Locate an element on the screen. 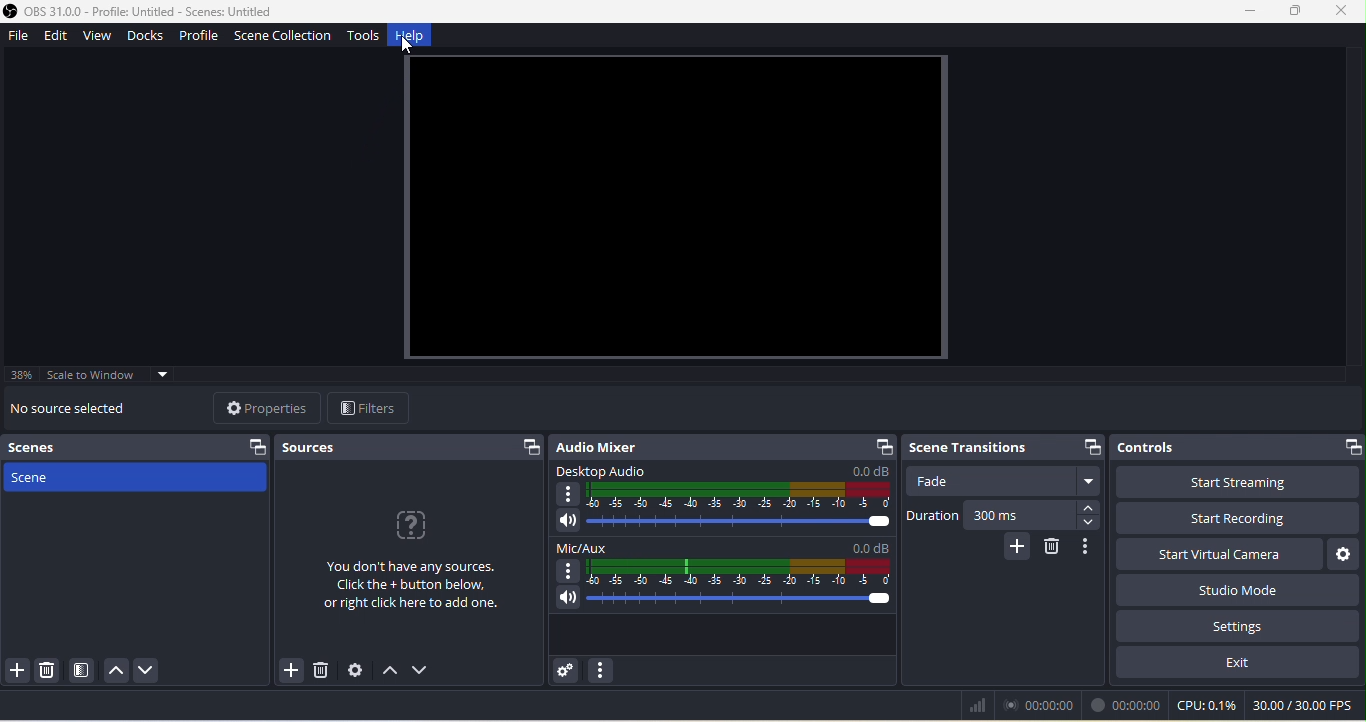 The image size is (1366, 722). audio mixer is located at coordinates (724, 448).